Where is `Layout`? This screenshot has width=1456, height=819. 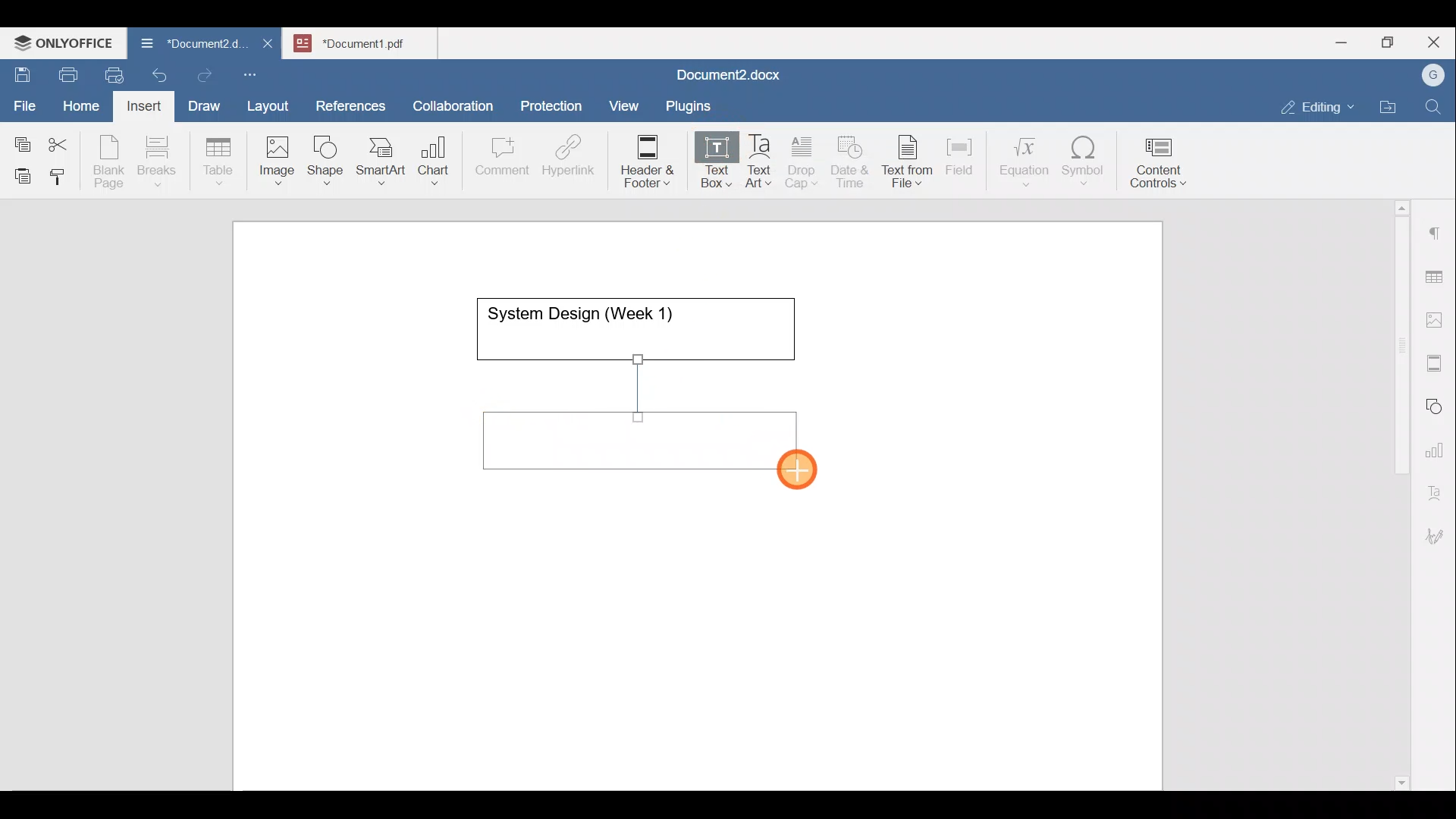
Layout is located at coordinates (271, 103).